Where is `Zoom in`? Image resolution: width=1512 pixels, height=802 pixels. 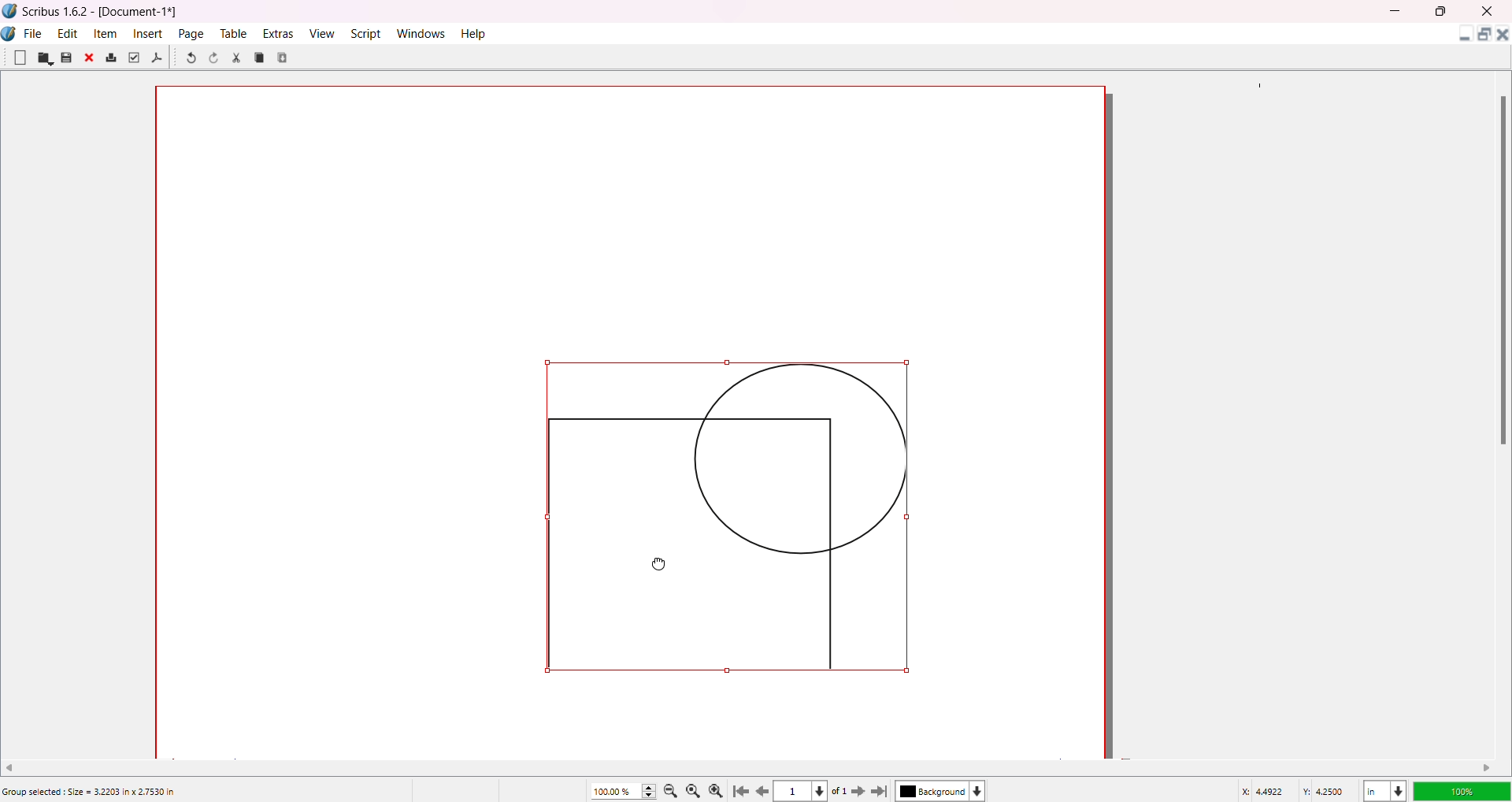
Zoom in is located at coordinates (719, 789).